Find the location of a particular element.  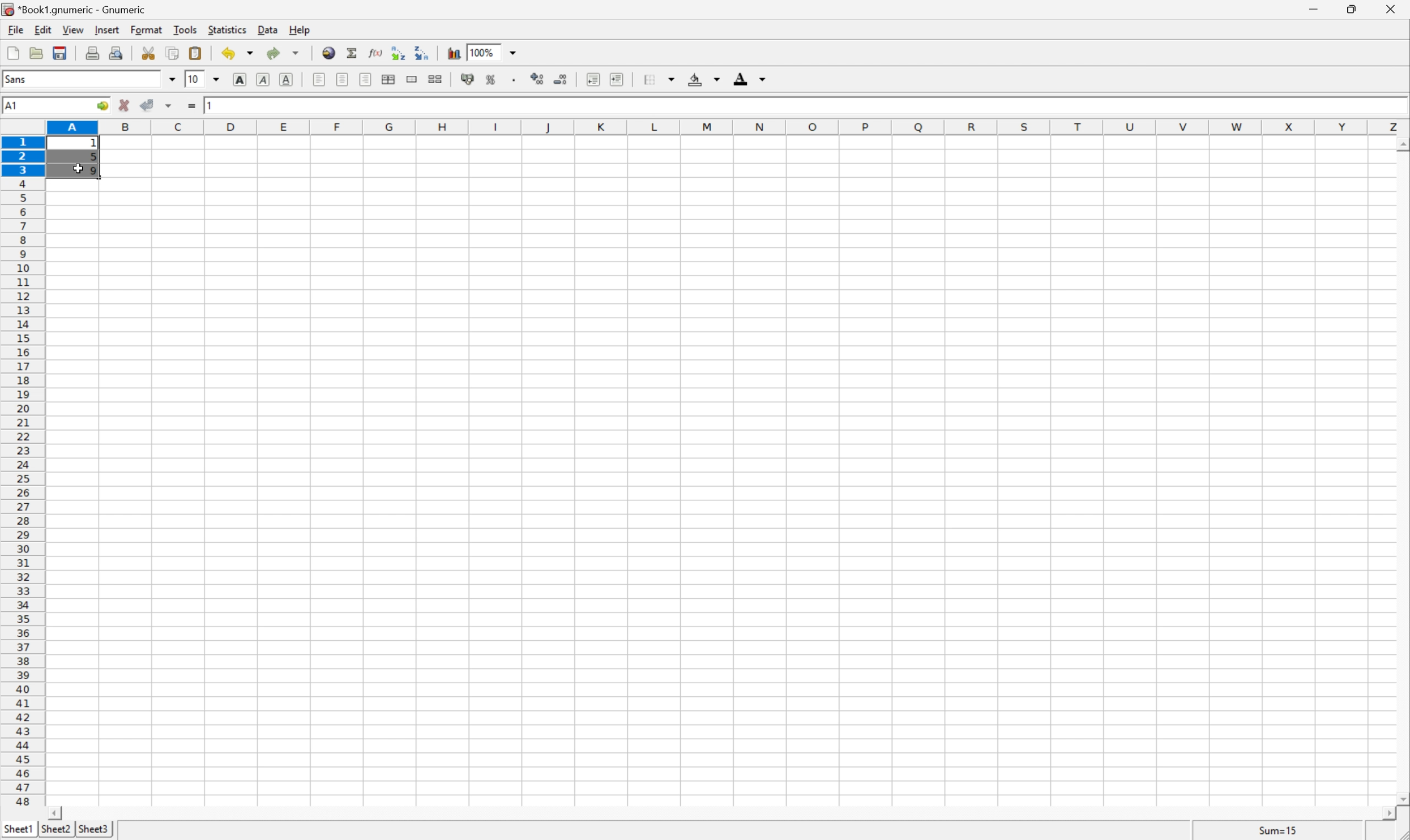

row numbers is located at coordinates (22, 472).